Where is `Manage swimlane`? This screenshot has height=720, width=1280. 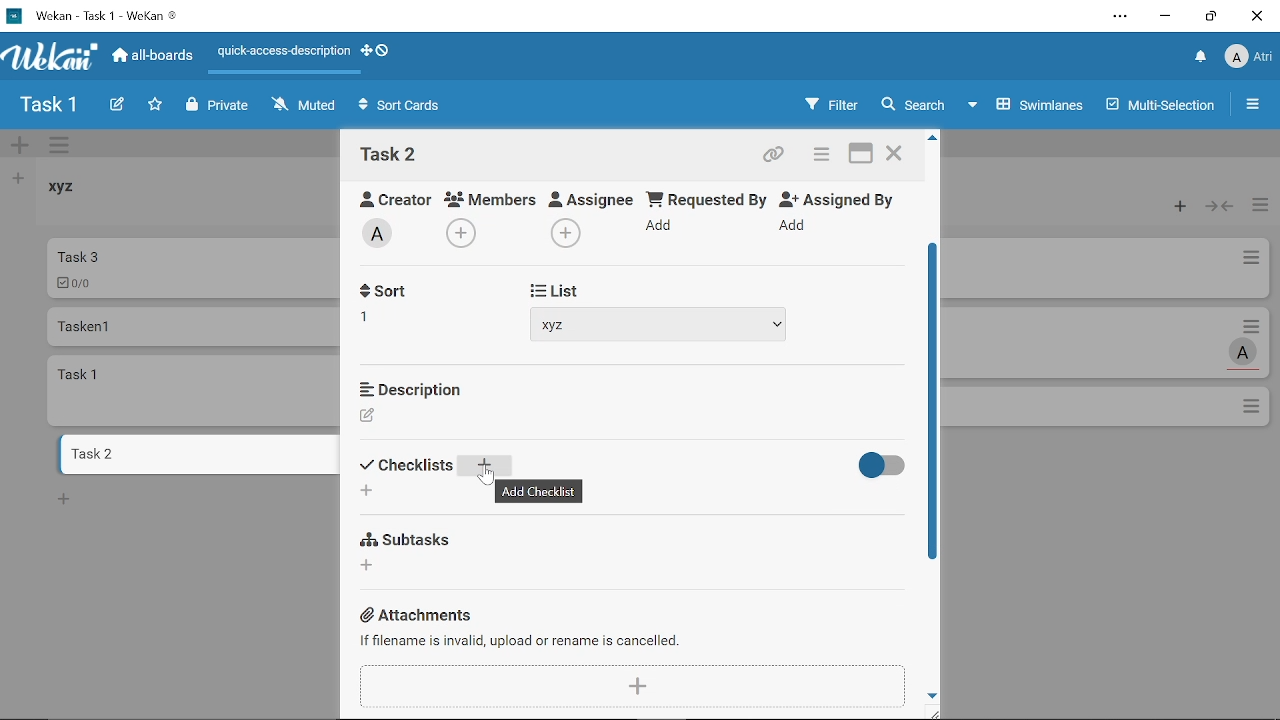 Manage swimlane is located at coordinates (61, 147).